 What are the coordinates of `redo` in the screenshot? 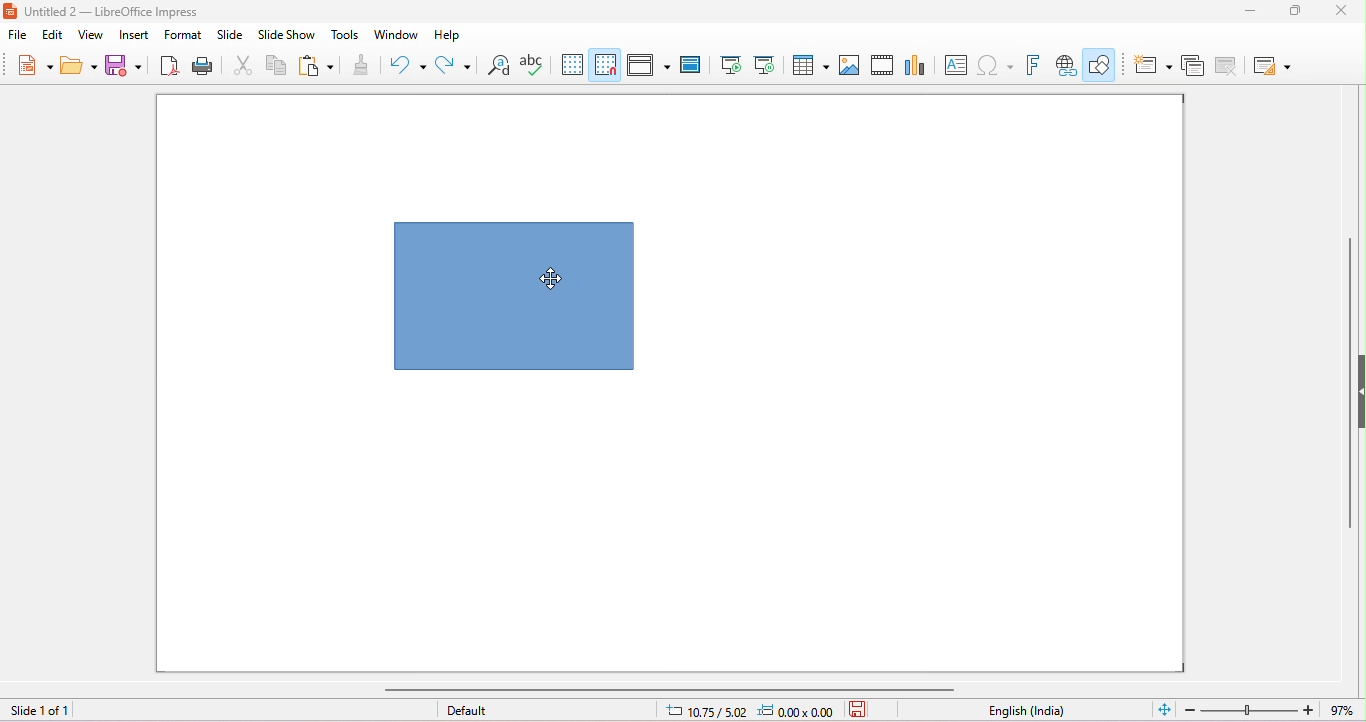 It's located at (456, 67).